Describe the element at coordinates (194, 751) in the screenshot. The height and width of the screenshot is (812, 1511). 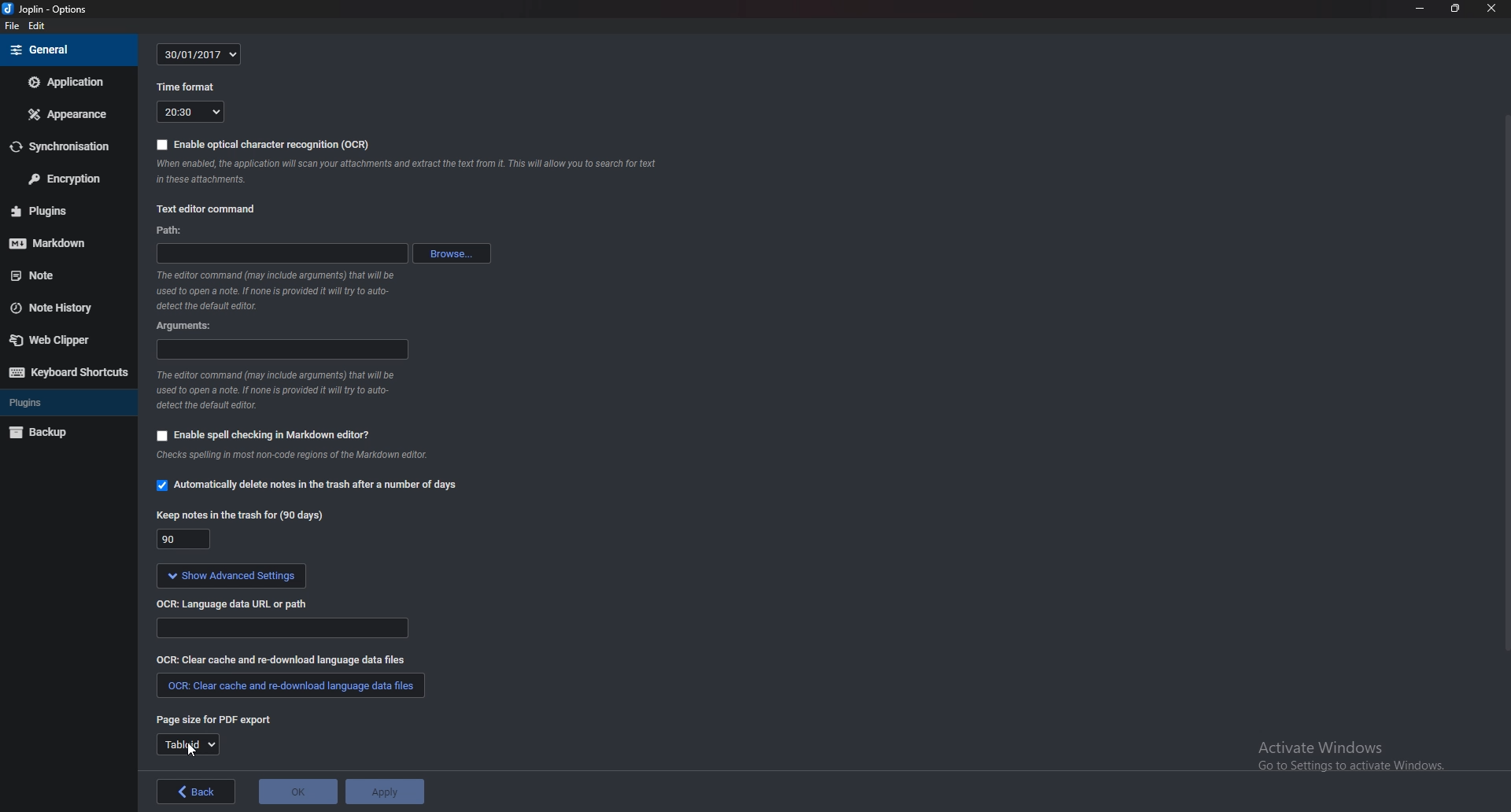
I see `cursor` at that location.